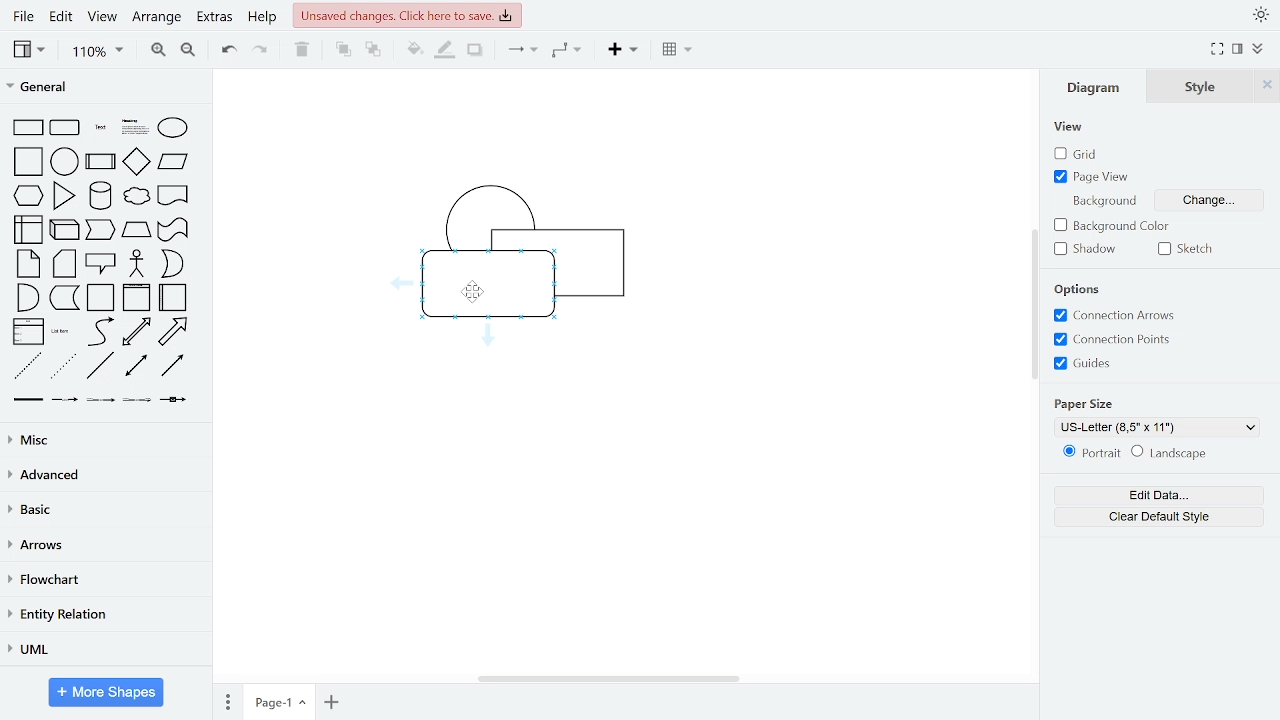  What do you see at coordinates (22, 16) in the screenshot?
I see `file` at bounding box center [22, 16].